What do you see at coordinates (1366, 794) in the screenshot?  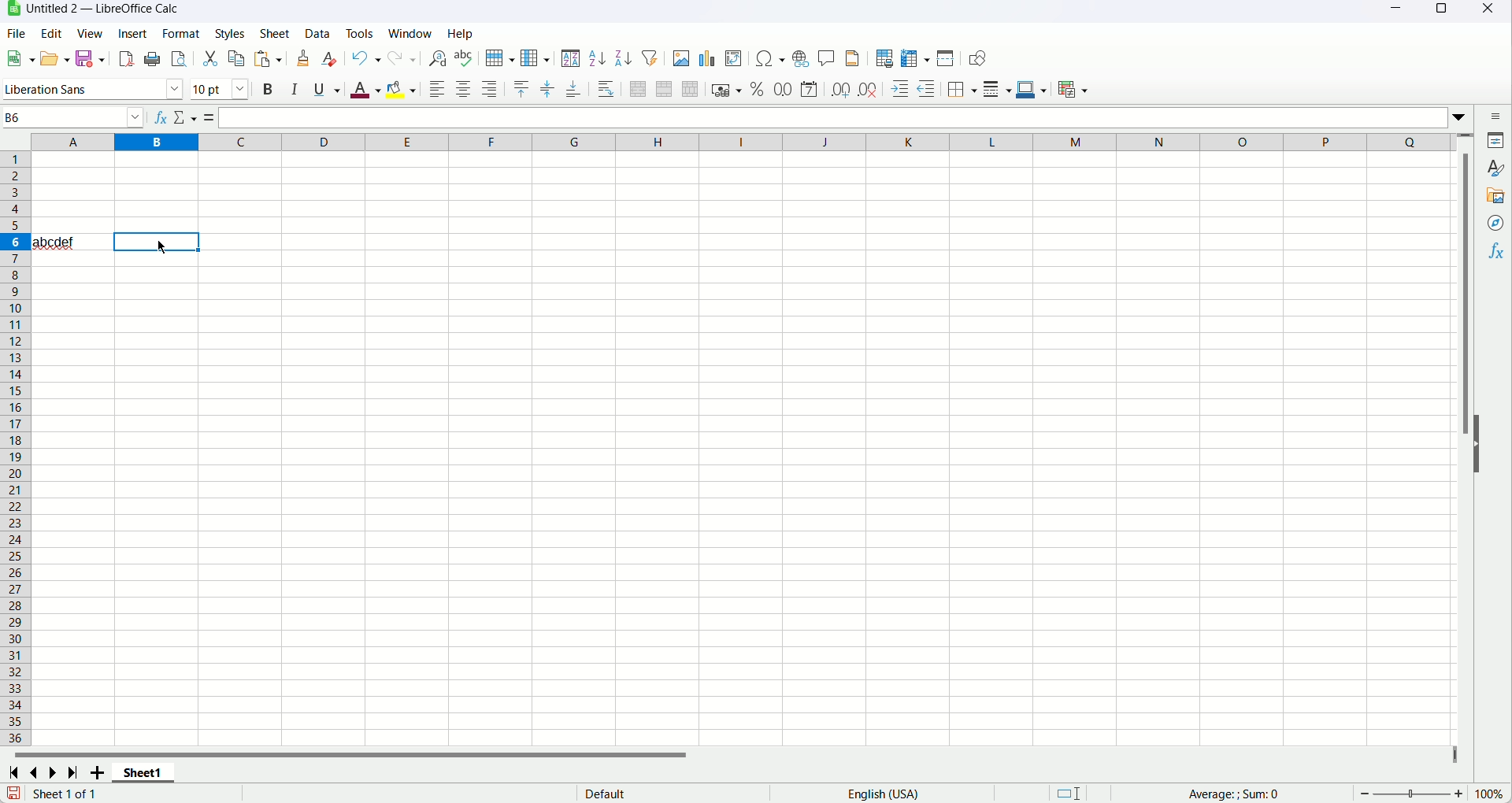 I see `zoom out` at bounding box center [1366, 794].